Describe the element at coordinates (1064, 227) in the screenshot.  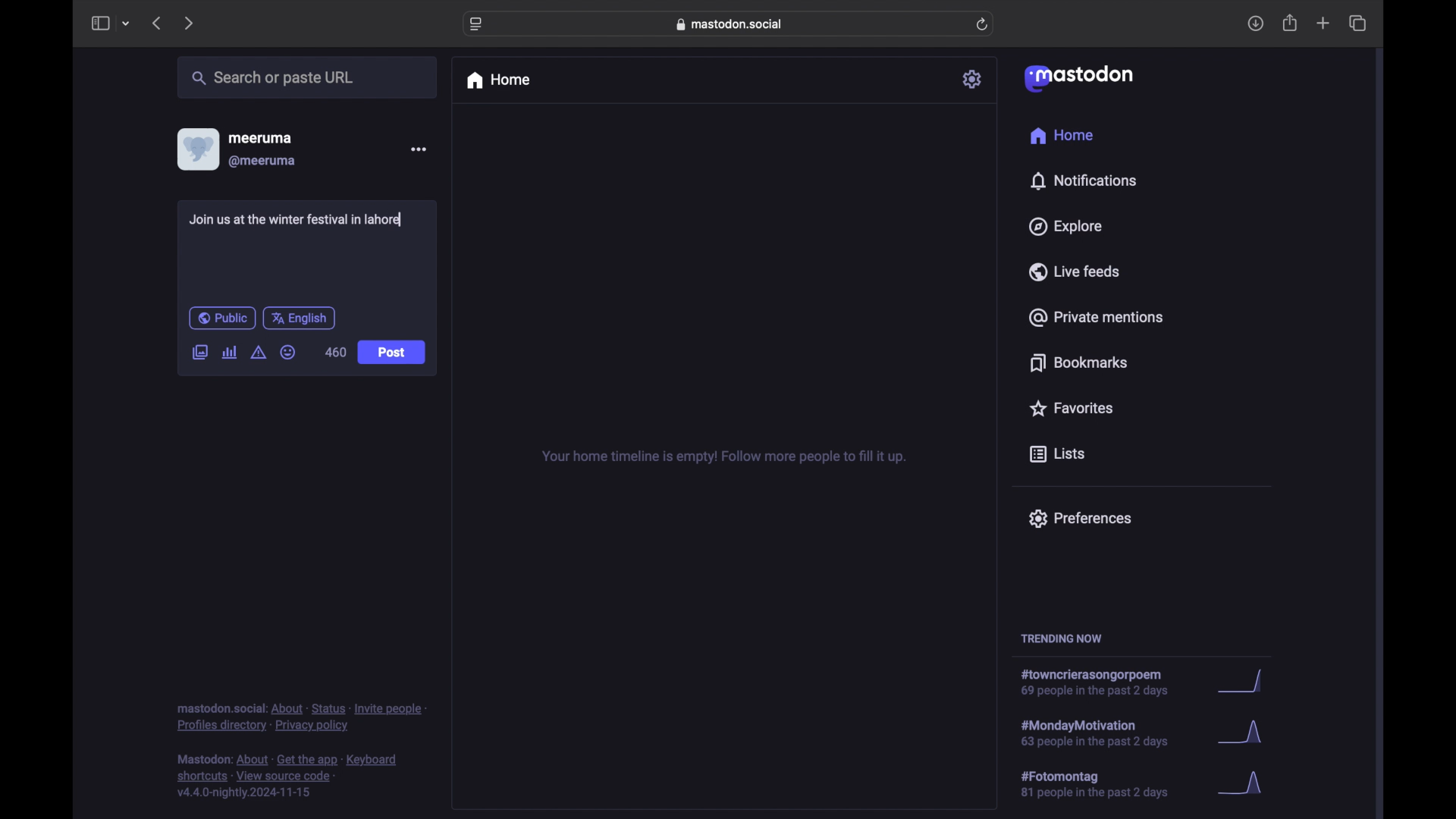
I see `explore` at that location.